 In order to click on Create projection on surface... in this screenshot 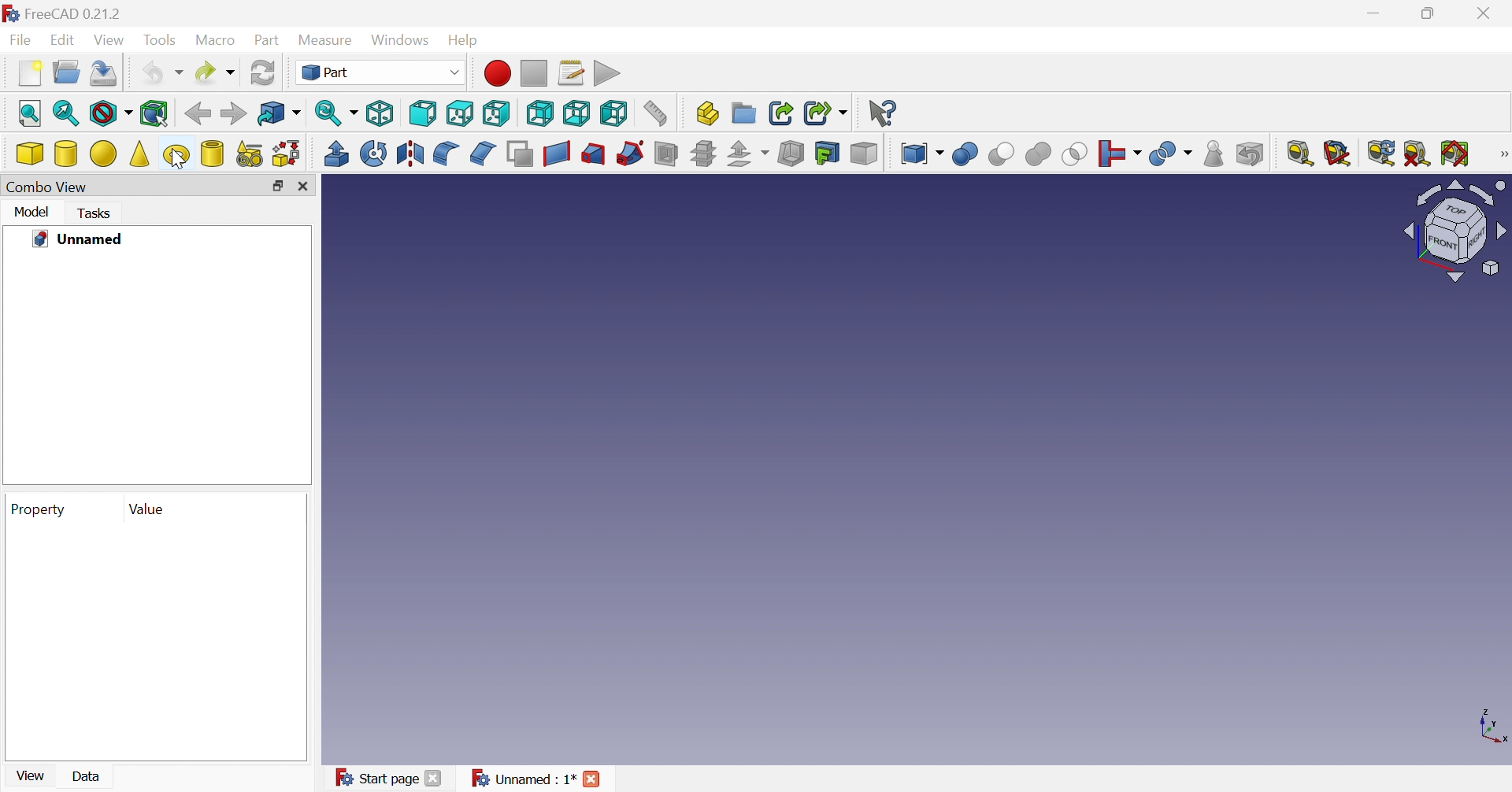, I will do `click(828, 154)`.